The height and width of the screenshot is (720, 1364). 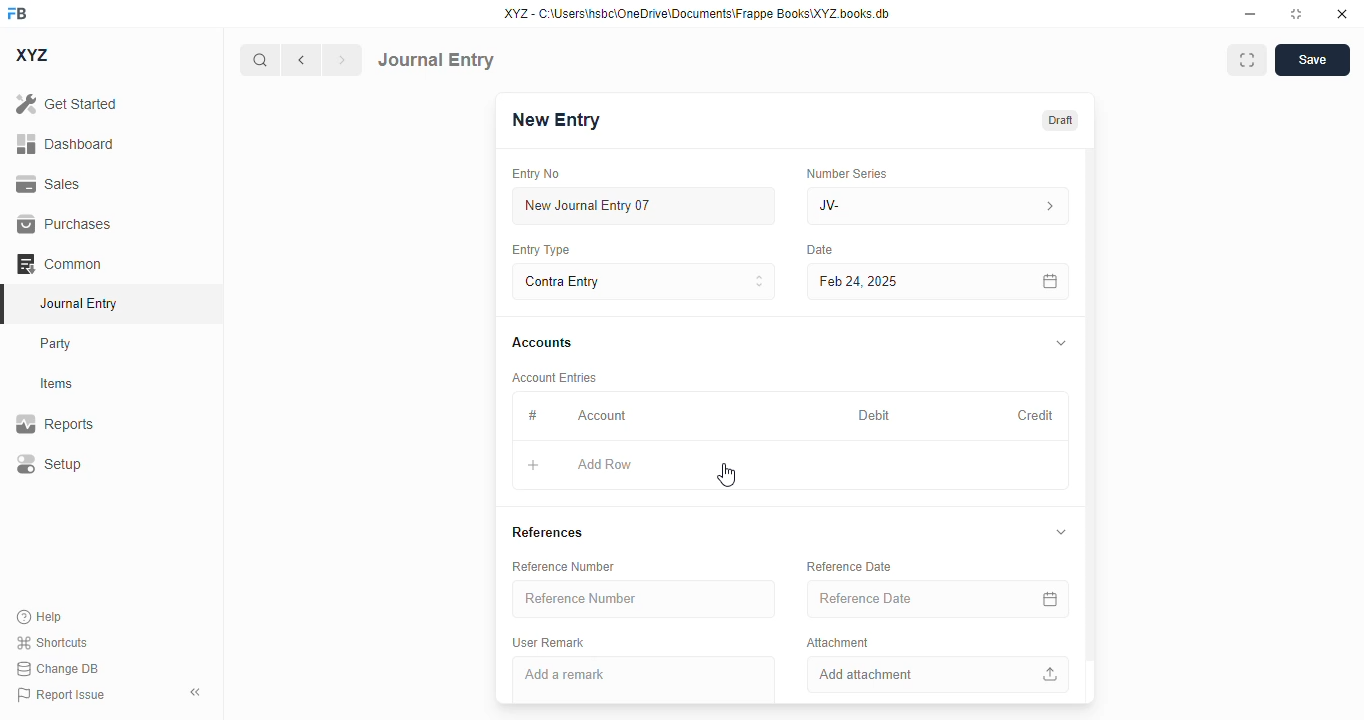 I want to click on minimize, so click(x=1251, y=14).